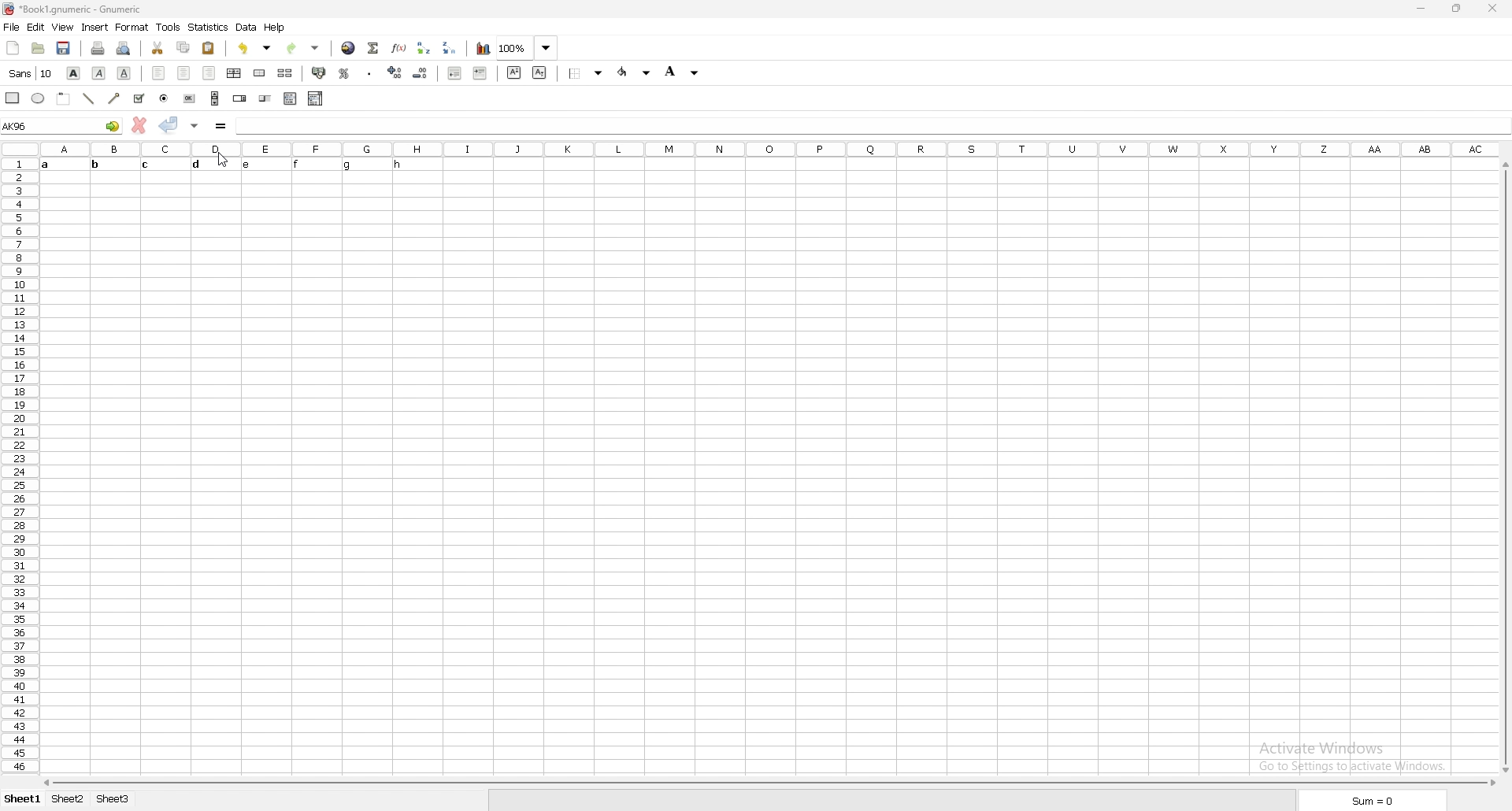 Image resolution: width=1512 pixels, height=811 pixels. What do you see at coordinates (1455, 9) in the screenshot?
I see `resize` at bounding box center [1455, 9].